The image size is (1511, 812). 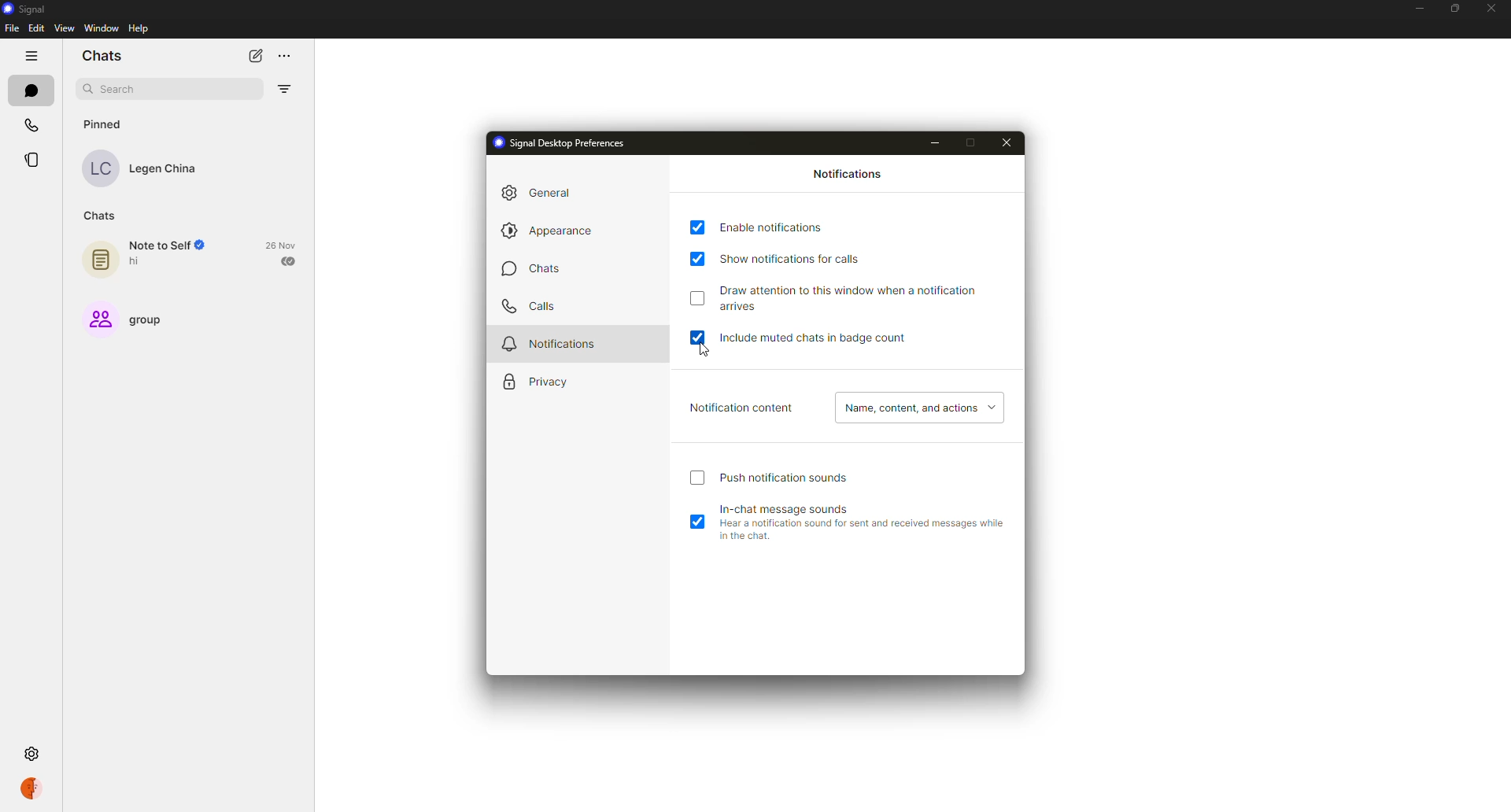 I want to click on name, content, actions, so click(x=916, y=407).